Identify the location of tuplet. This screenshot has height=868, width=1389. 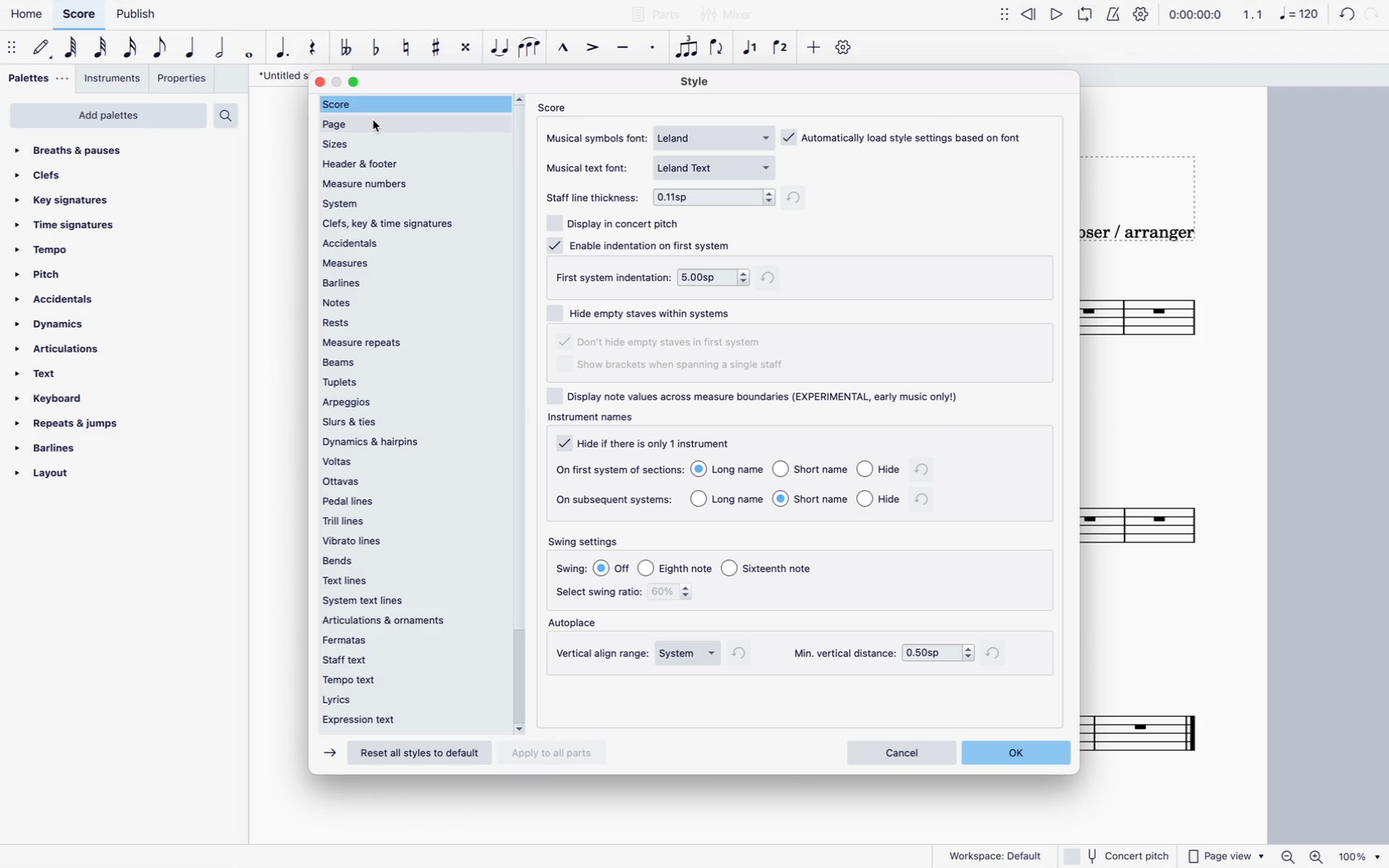
(688, 46).